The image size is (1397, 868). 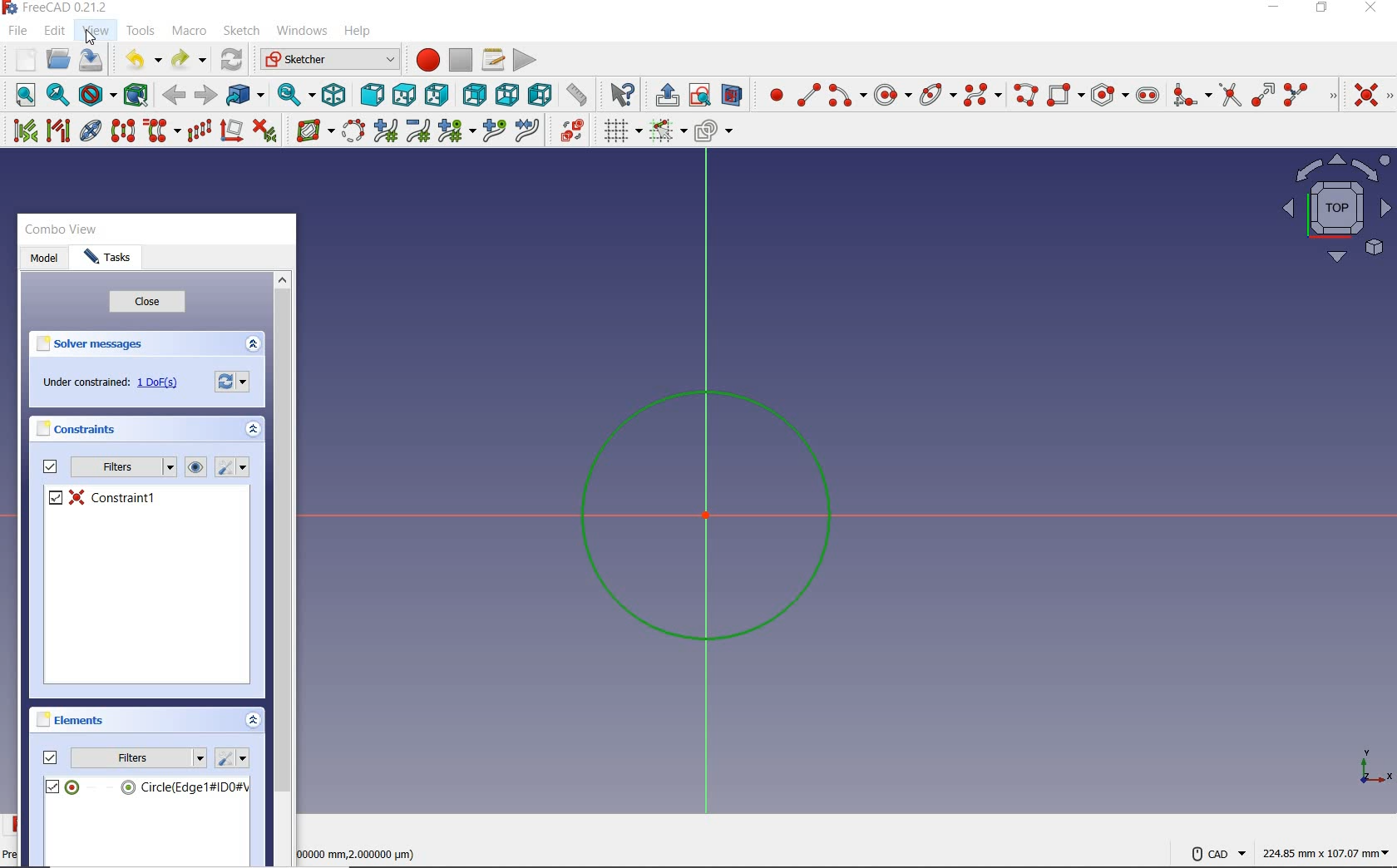 I want to click on configure rendering order, so click(x=714, y=131).